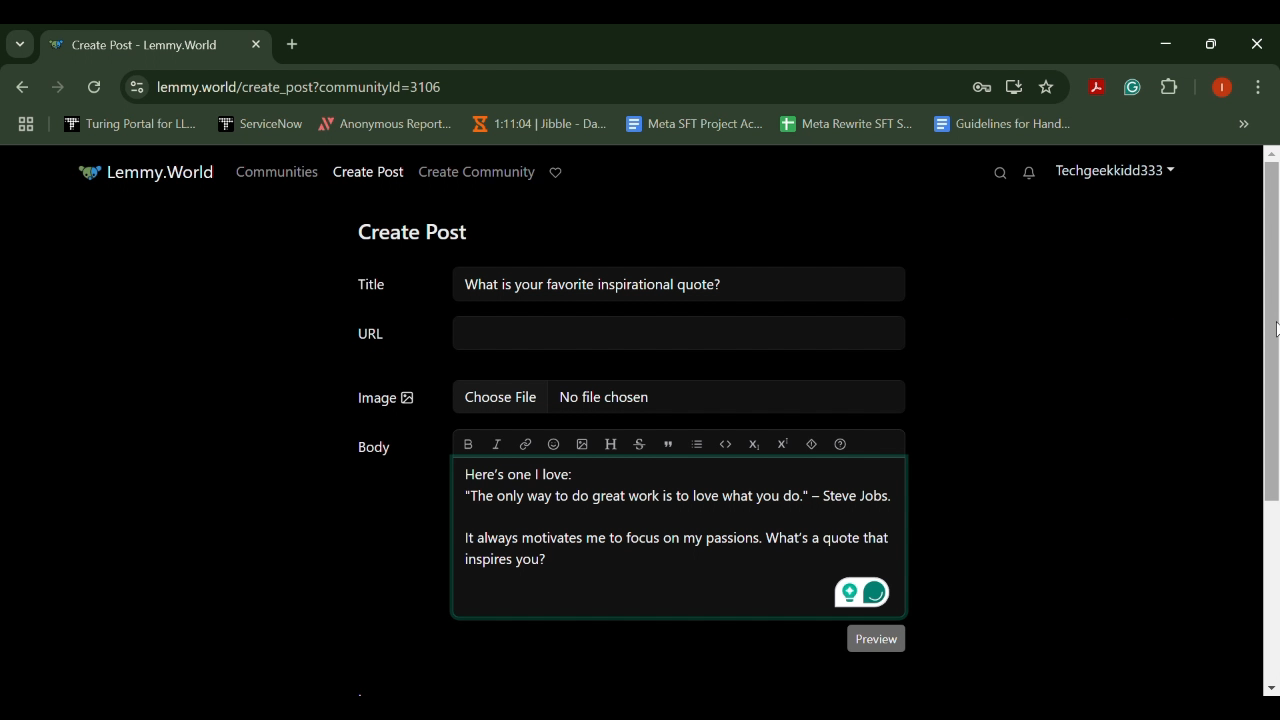 The height and width of the screenshot is (720, 1280). What do you see at coordinates (1030, 174) in the screenshot?
I see `Notifications` at bounding box center [1030, 174].